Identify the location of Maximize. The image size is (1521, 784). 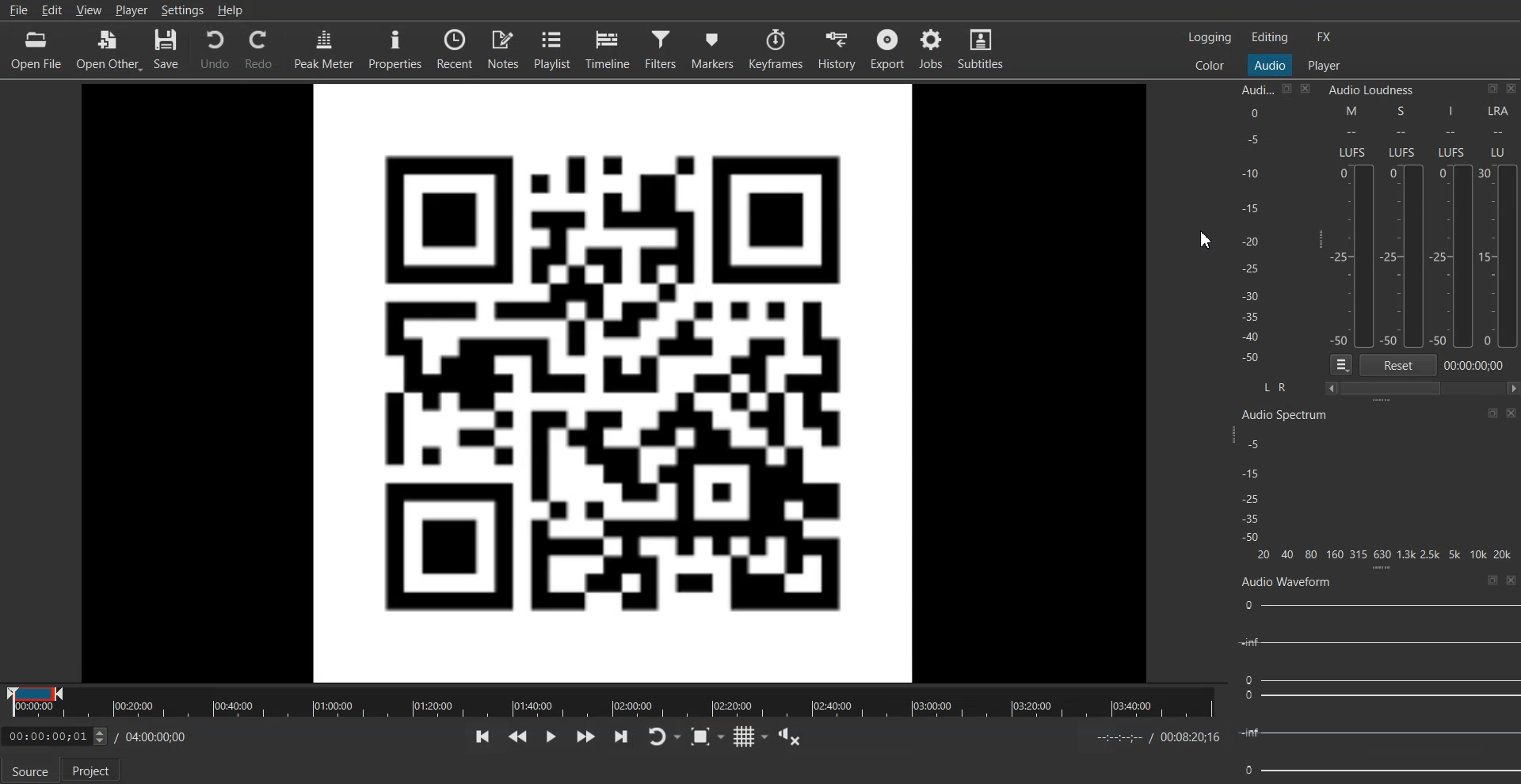
(1493, 89).